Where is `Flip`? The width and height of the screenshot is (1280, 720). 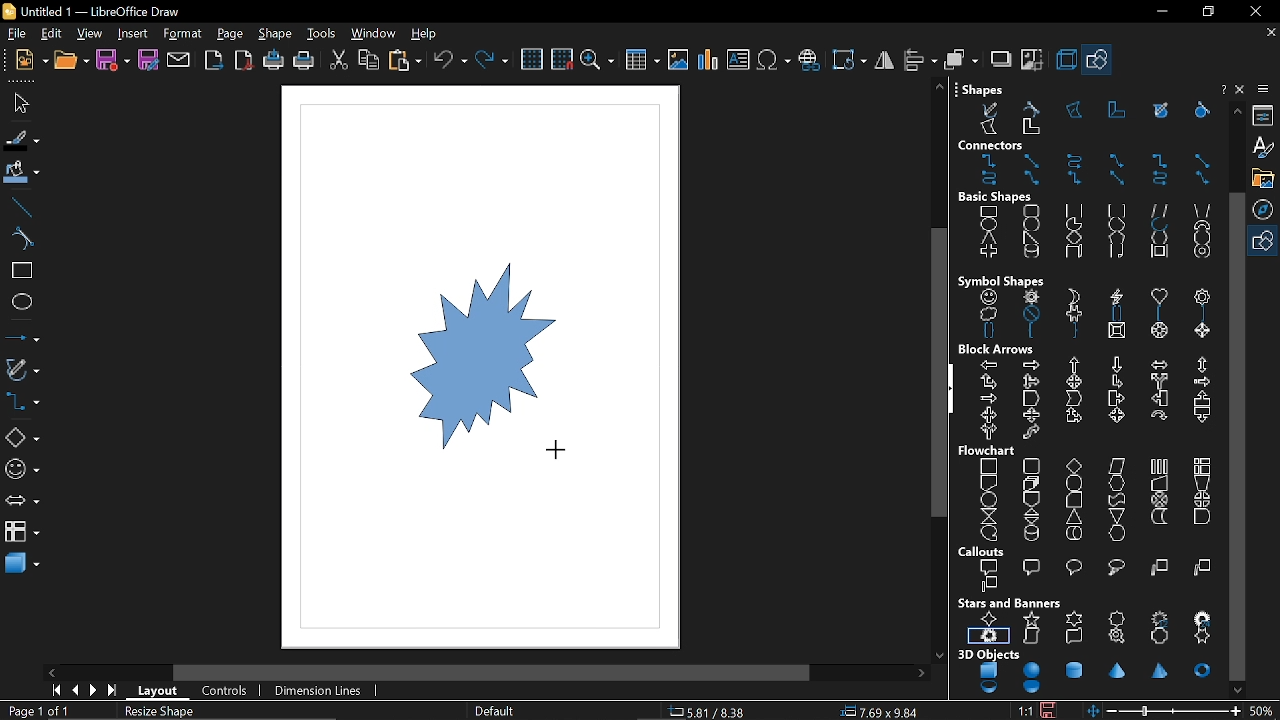 Flip is located at coordinates (883, 61).